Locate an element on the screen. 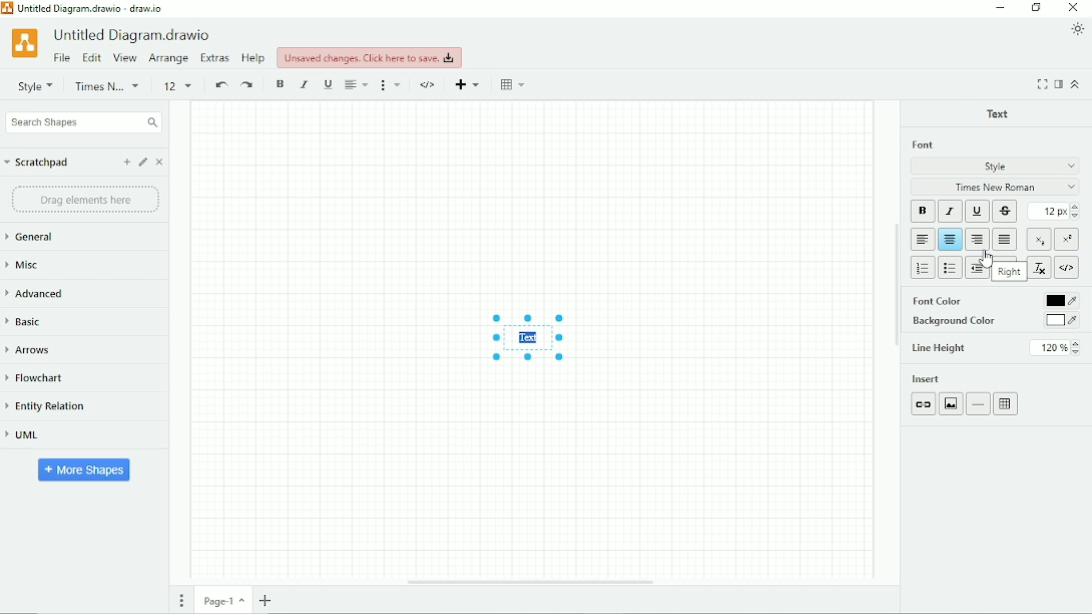 This screenshot has width=1092, height=614. Font size is located at coordinates (179, 87).